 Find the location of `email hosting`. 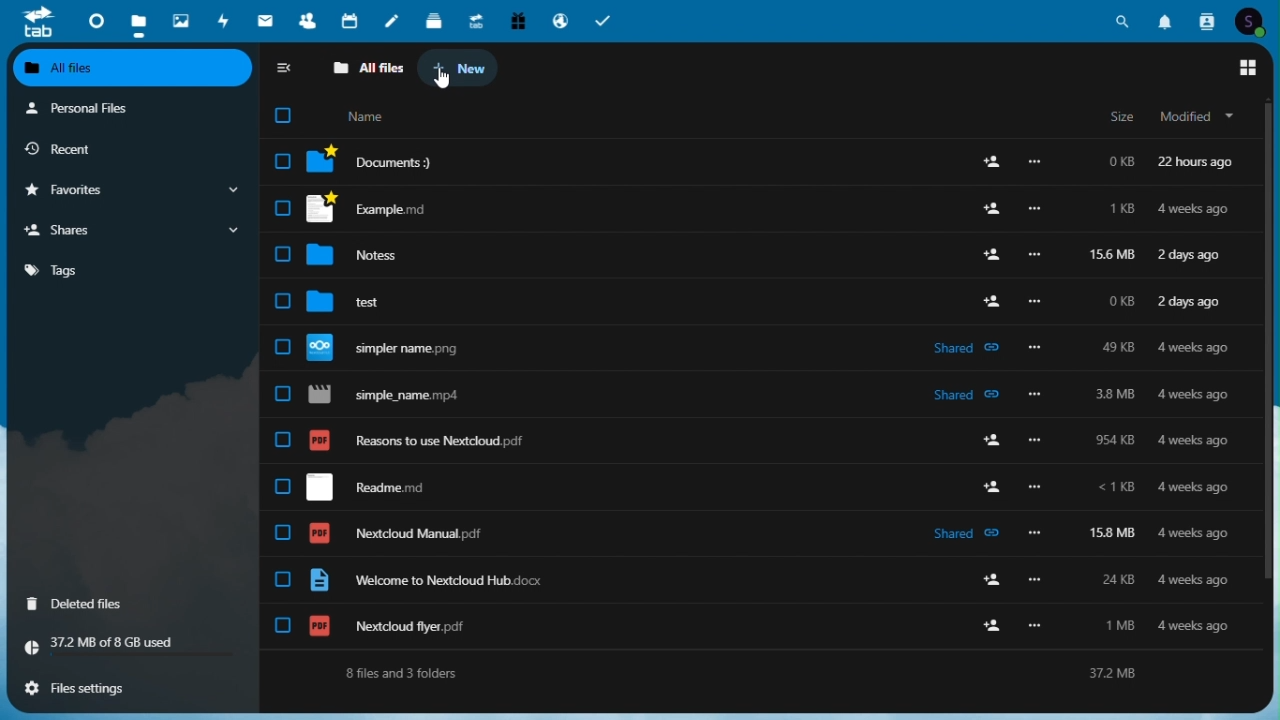

email hosting is located at coordinates (561, 20).